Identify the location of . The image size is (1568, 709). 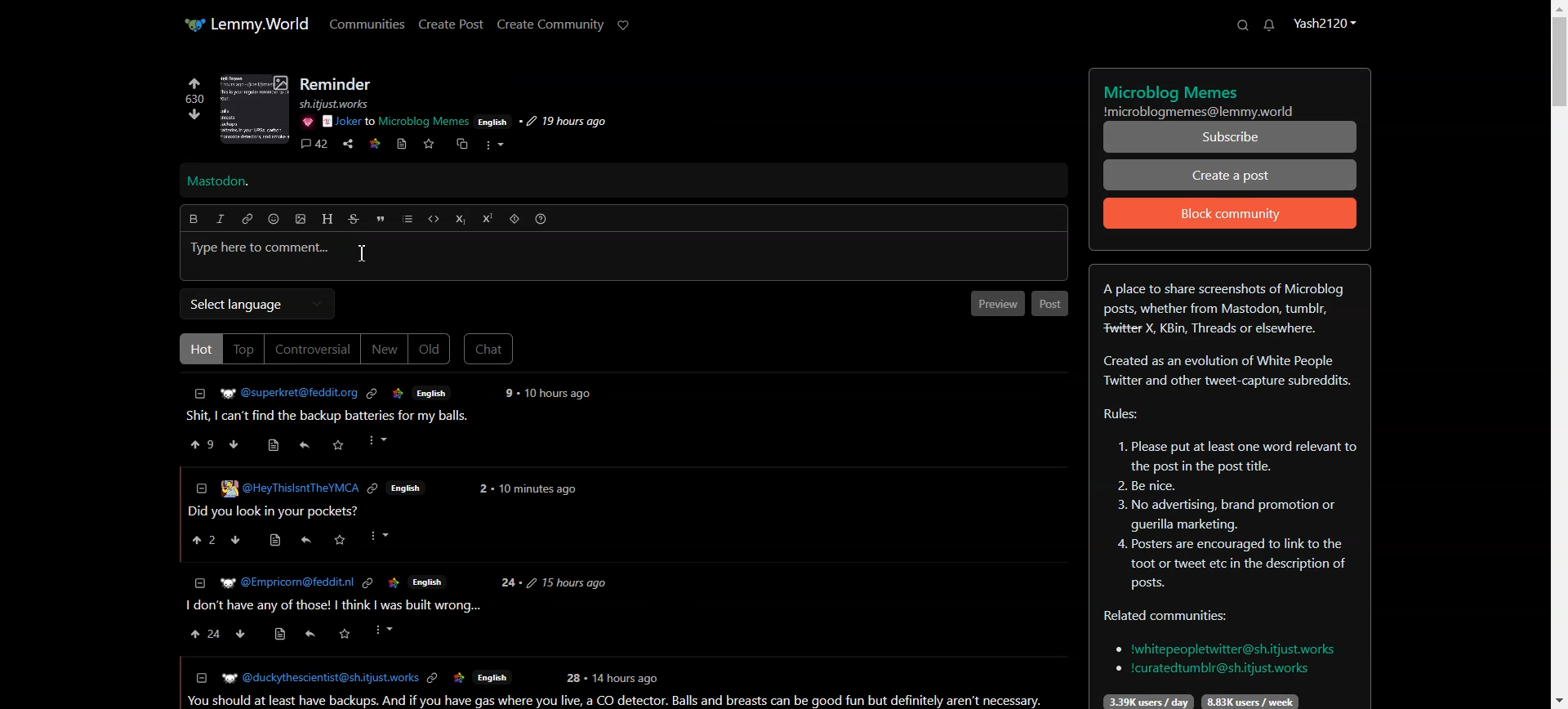
(305, 540).